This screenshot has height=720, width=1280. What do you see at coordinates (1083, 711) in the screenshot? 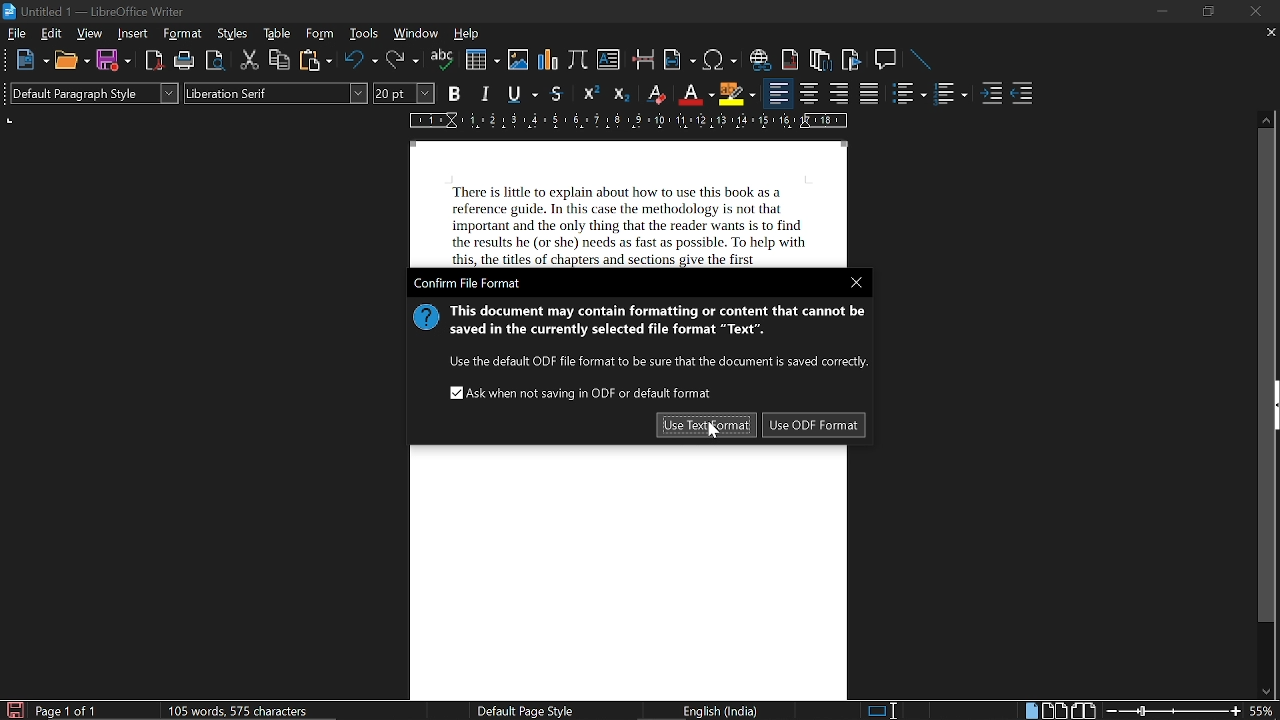
I see `book view` at bounding box center [1083, 711].